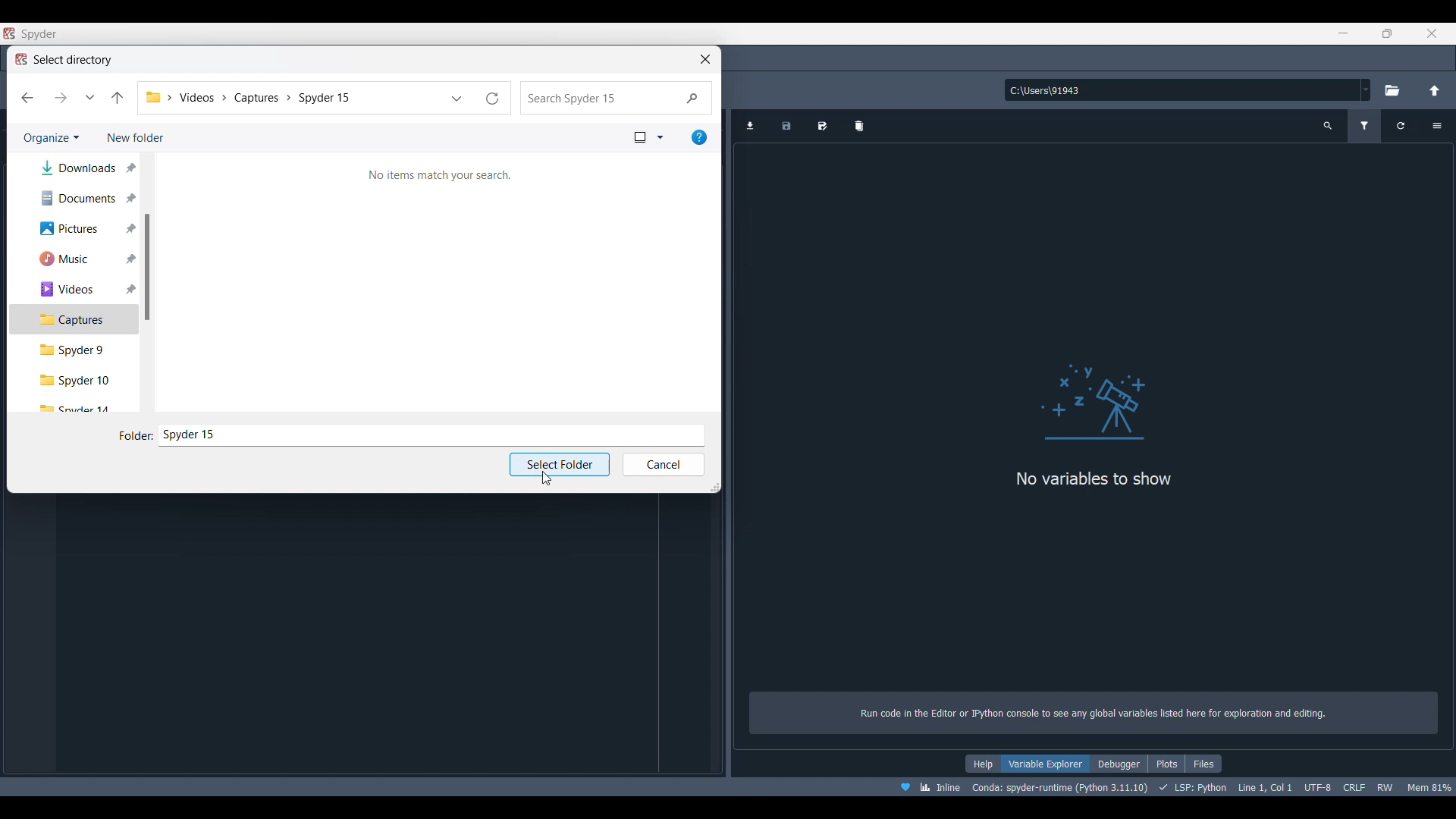 The width and height of the screenshot is (1456, 819). Describe the element at coordinates (1094, 518) in the screenshot. I see `Logo and description of pane` at that location.